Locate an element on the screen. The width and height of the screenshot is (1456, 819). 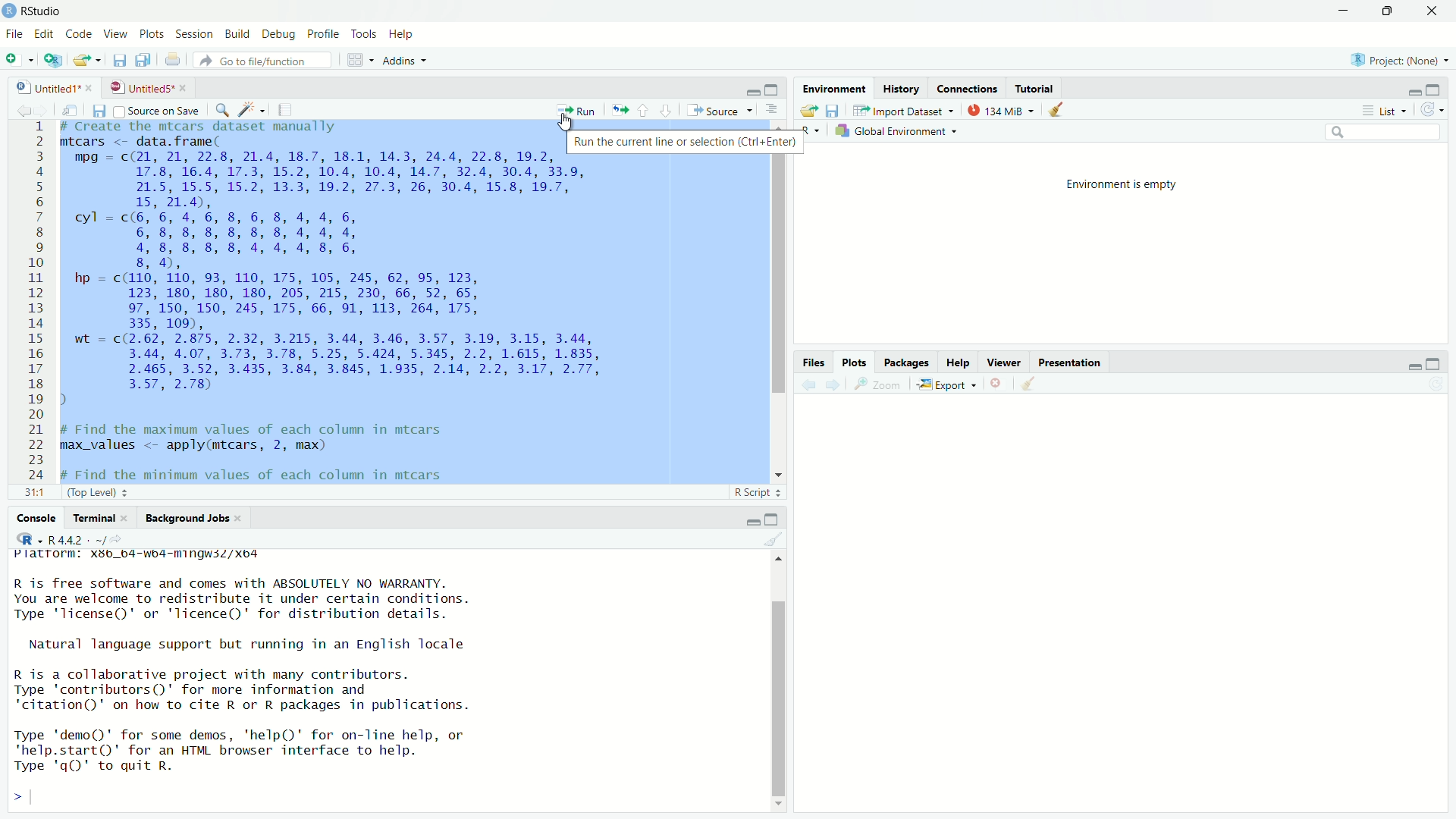
add is located at coordinates (18, 62).